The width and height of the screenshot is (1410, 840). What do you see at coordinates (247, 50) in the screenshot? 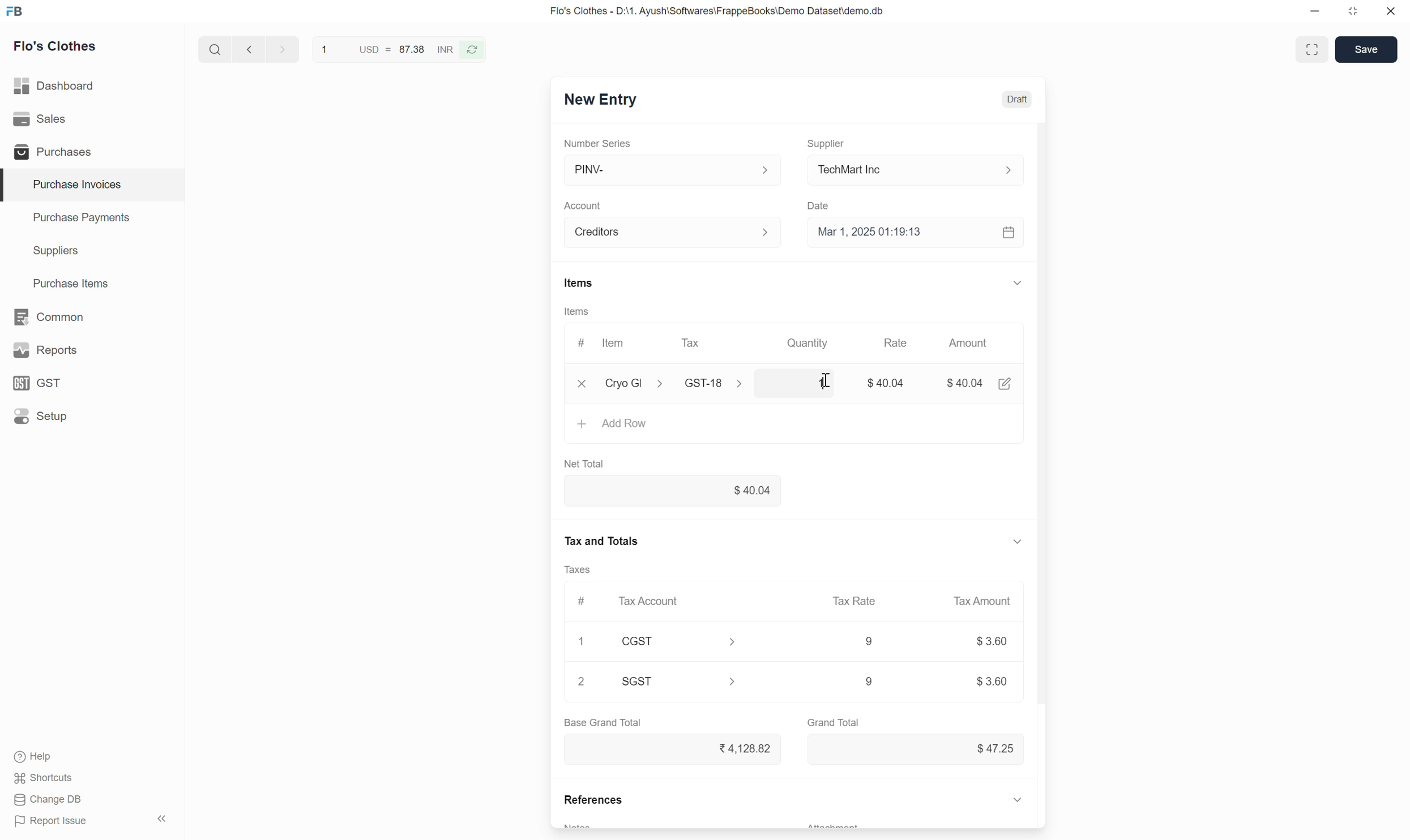
I see `next` at bounding box center [247, 50].